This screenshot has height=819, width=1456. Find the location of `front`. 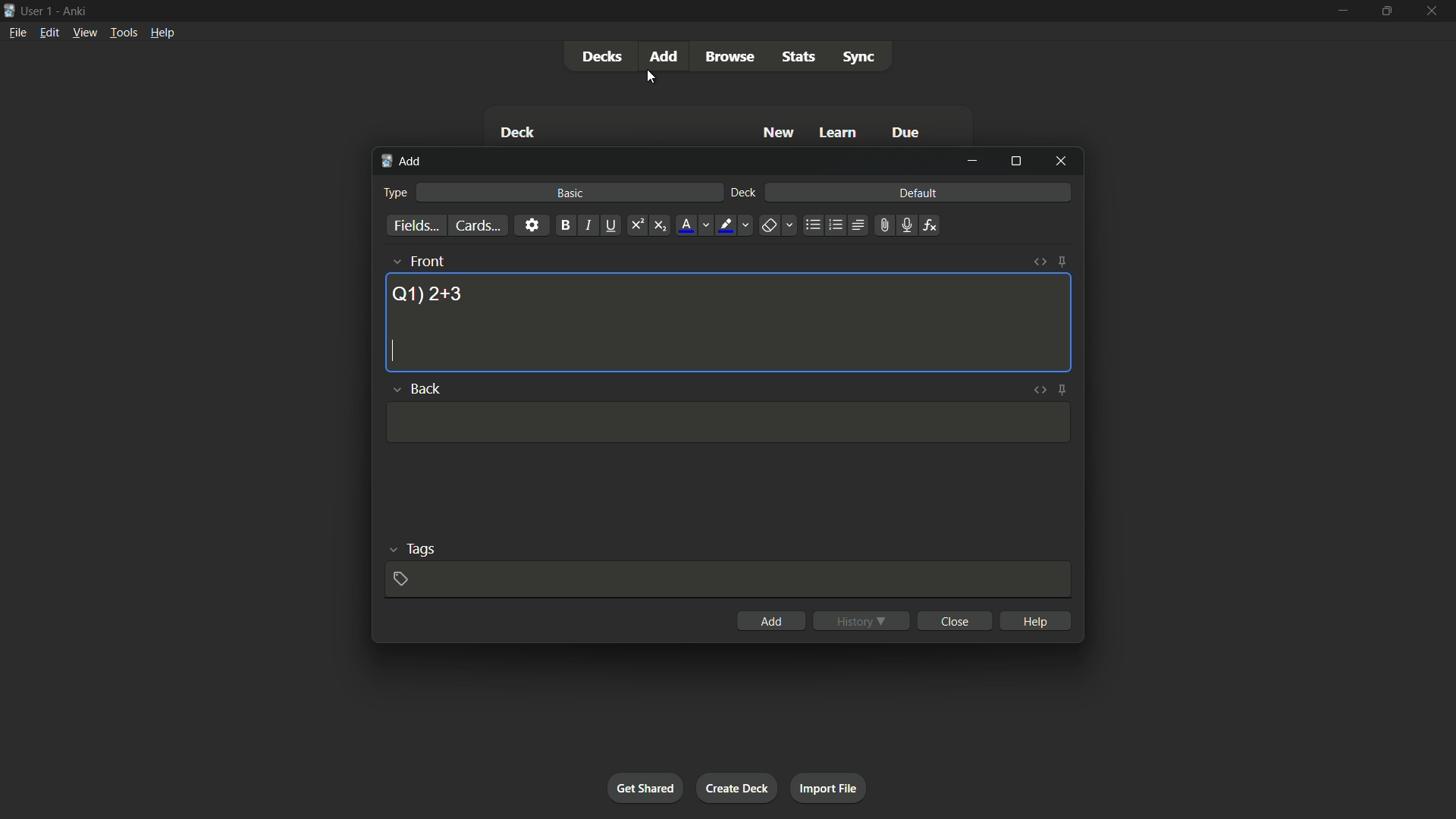

front is located at coordinates (426, 261).